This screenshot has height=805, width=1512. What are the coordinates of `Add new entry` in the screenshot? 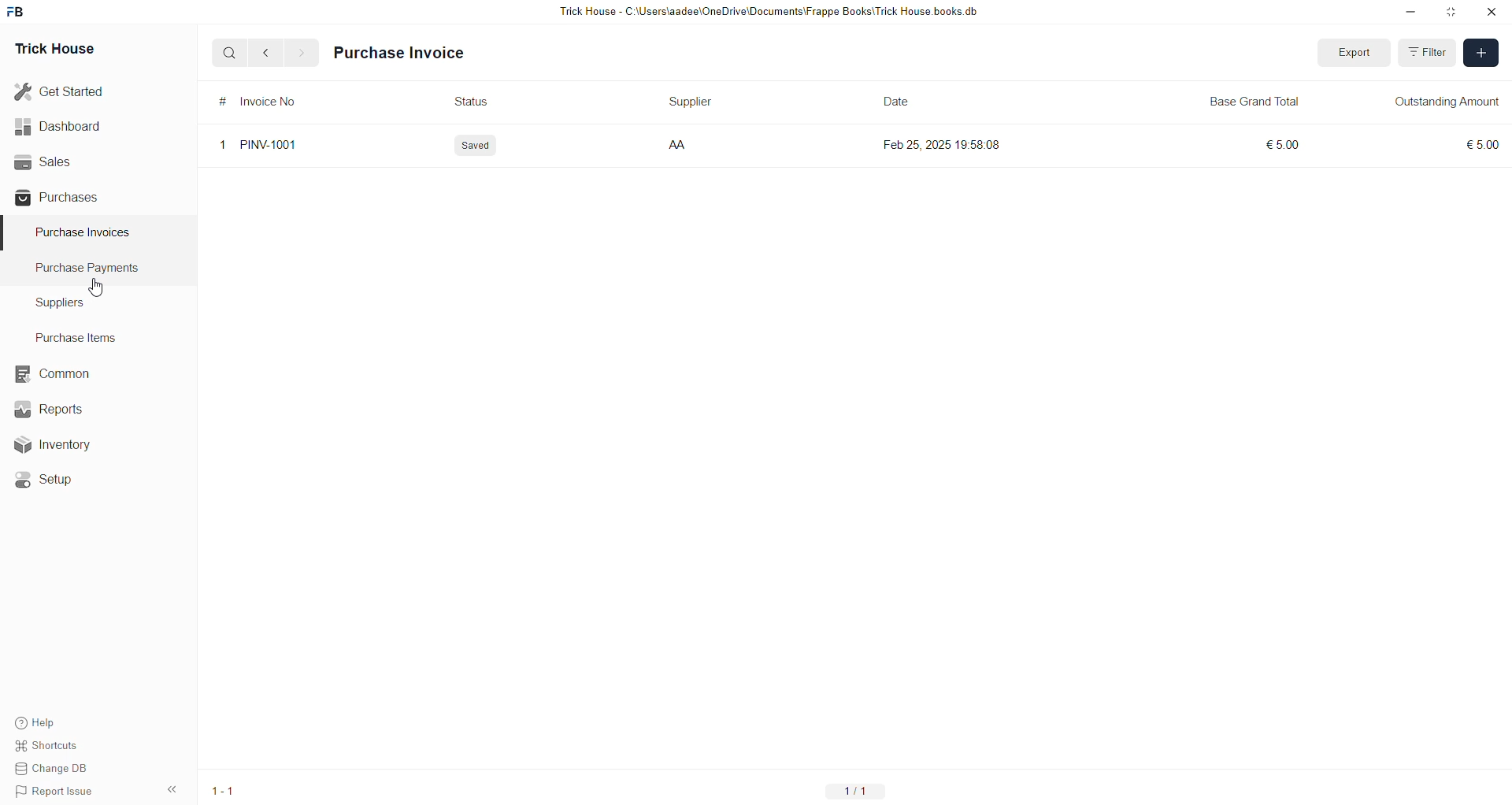 It's located at (1483, 54).